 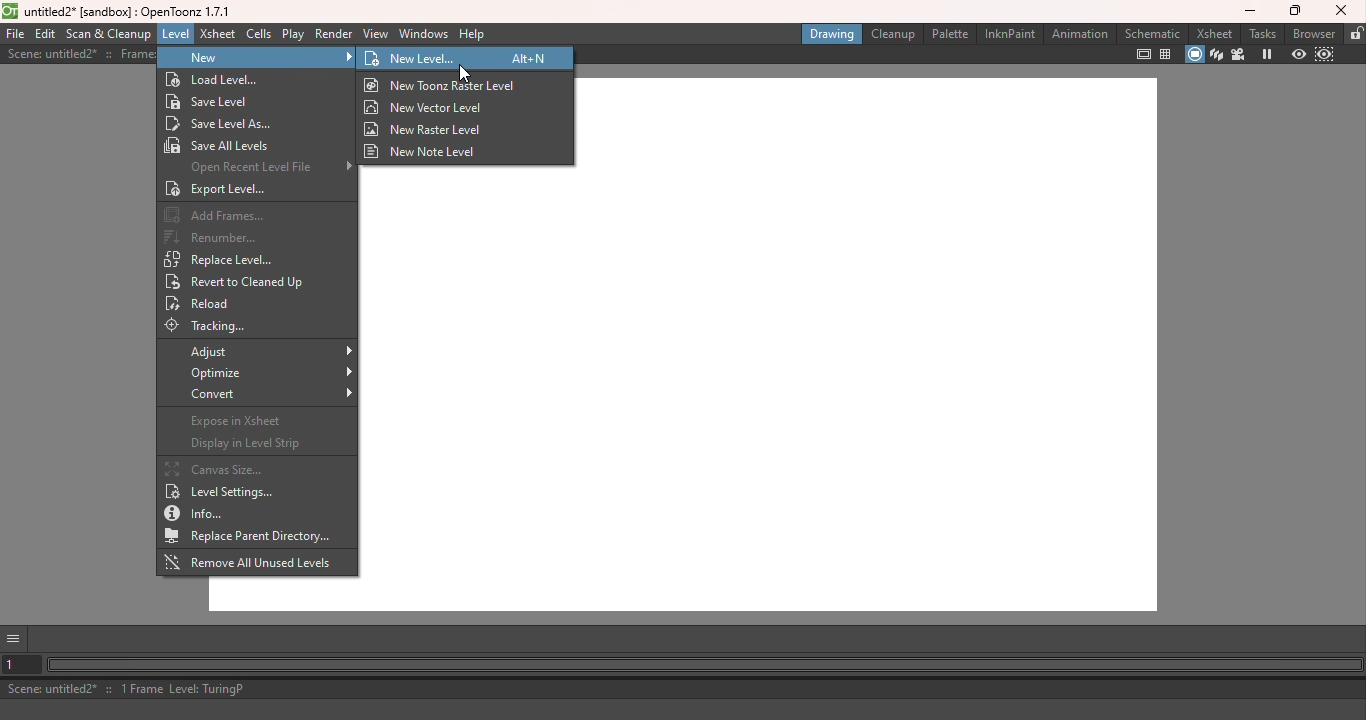 I want to click on cursor, so click(x=465, y=74).